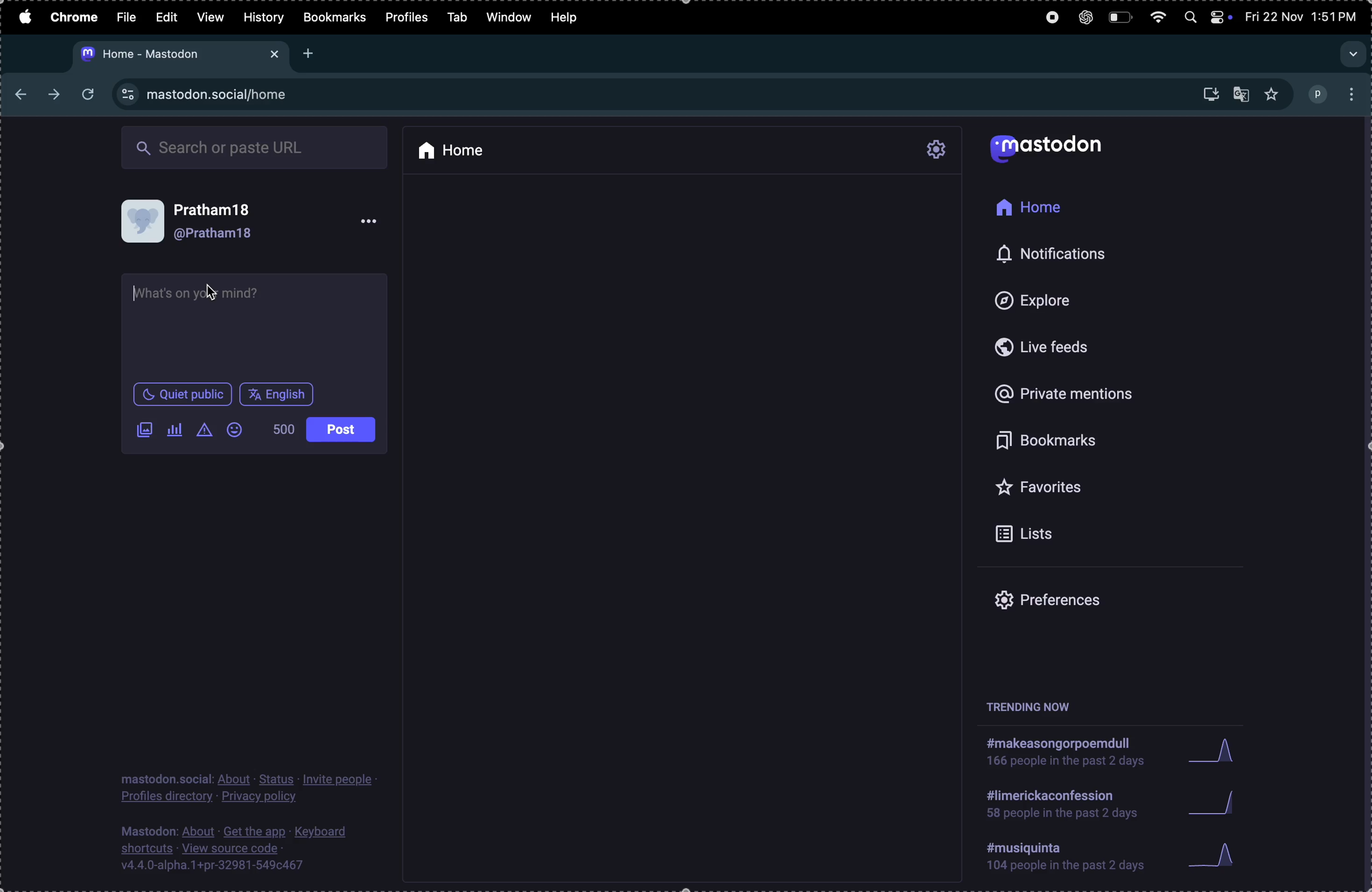 The image size is (1372, 892). I want to click on help, so click(569, 17).